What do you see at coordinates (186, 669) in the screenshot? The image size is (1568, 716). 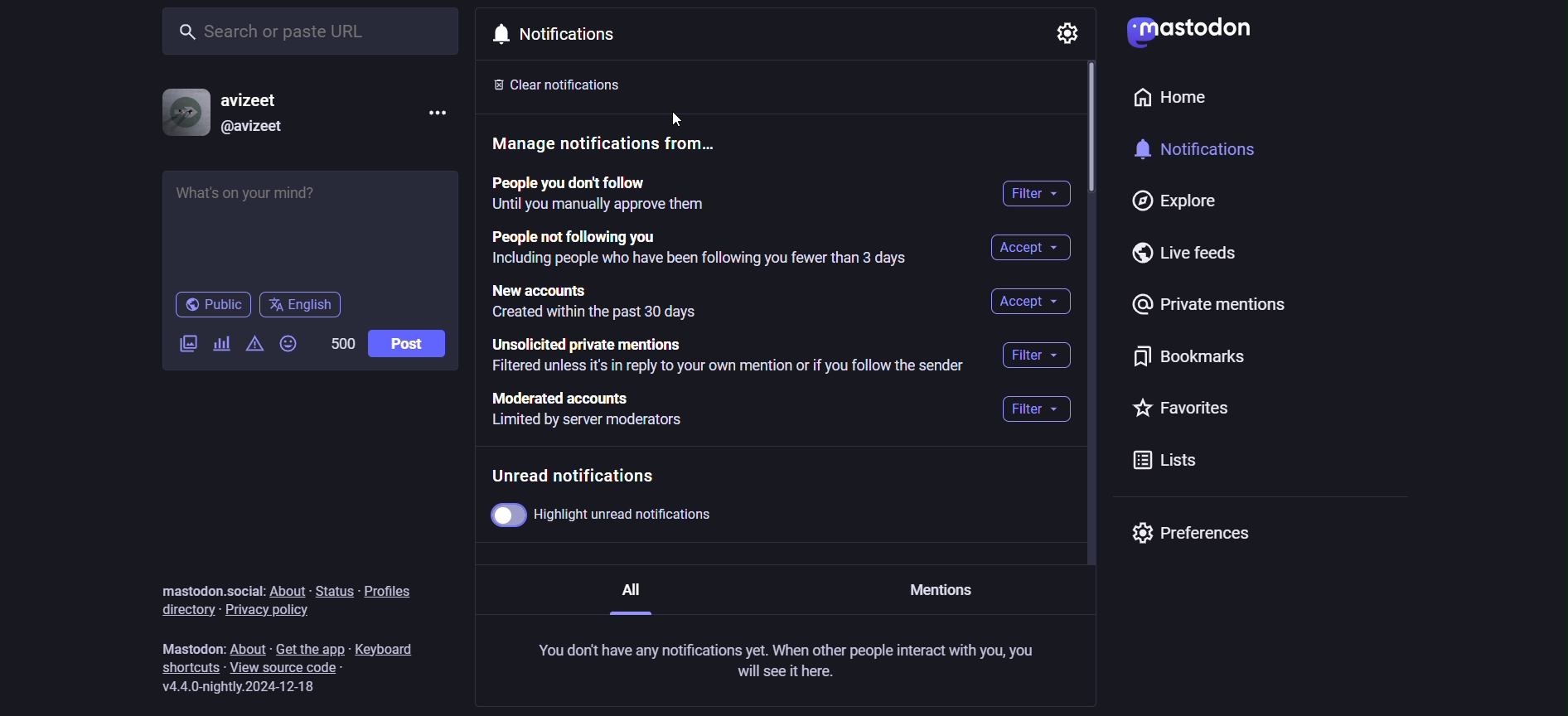 I see `shortcuts` at bounding box center [186, 669].